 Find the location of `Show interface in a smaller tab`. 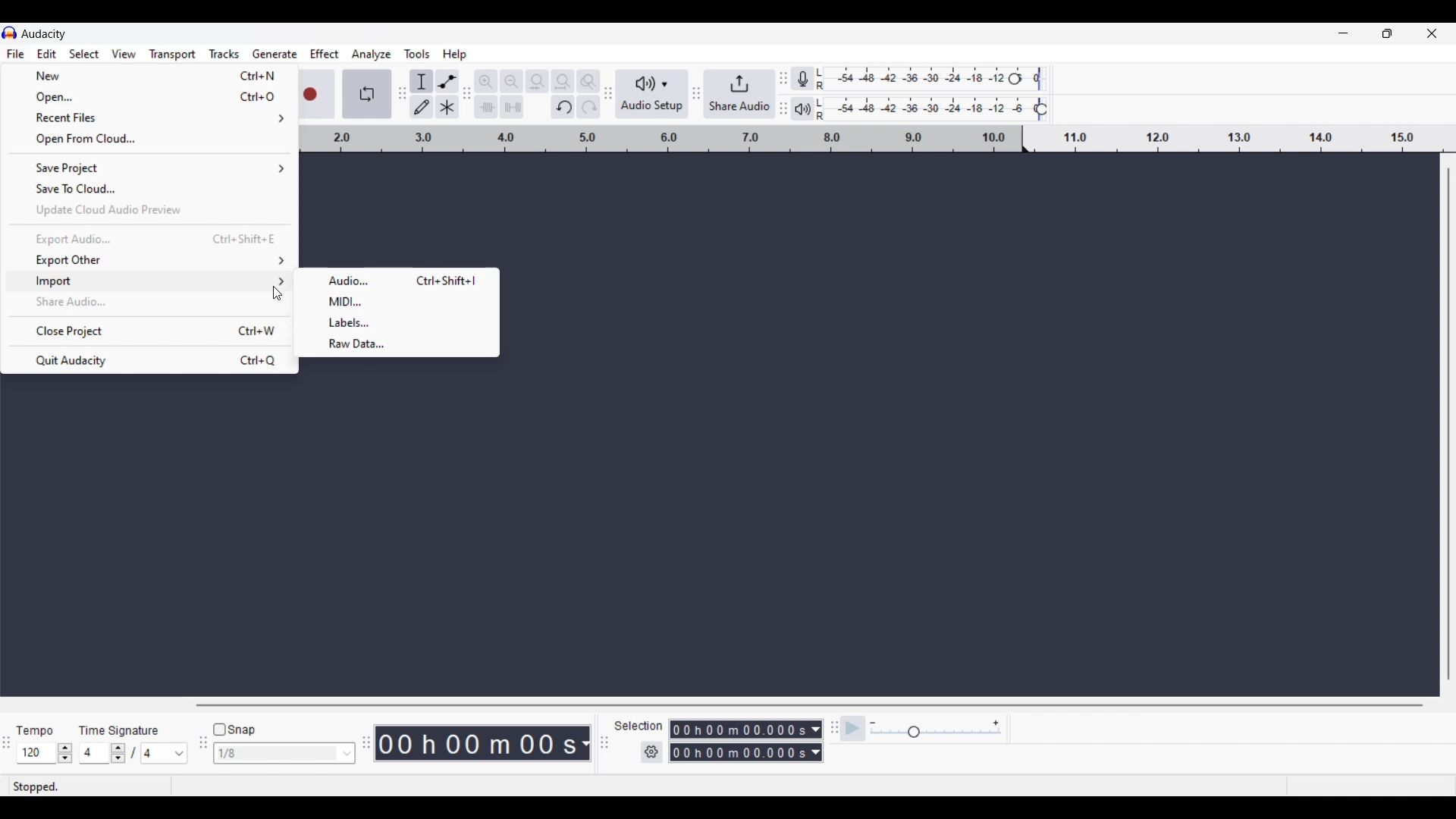

Show interface in a smaller tab is located at coordinates (1387, 33).